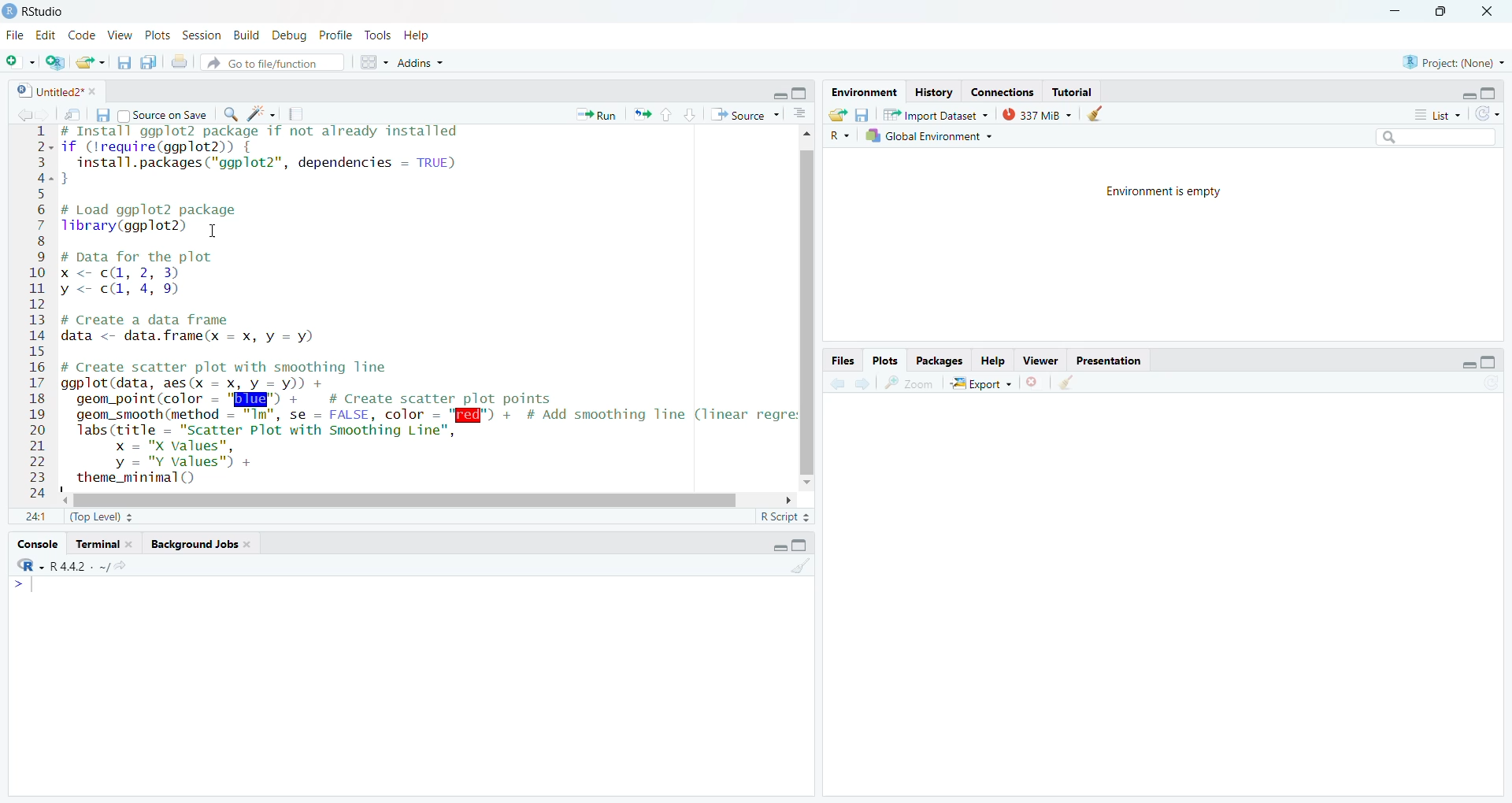 Image resolution: width=1512 pixels, height=803 pixels. Describe the element at coordinates (776, 96) in the screenshot. I see `hide r script` at that location.